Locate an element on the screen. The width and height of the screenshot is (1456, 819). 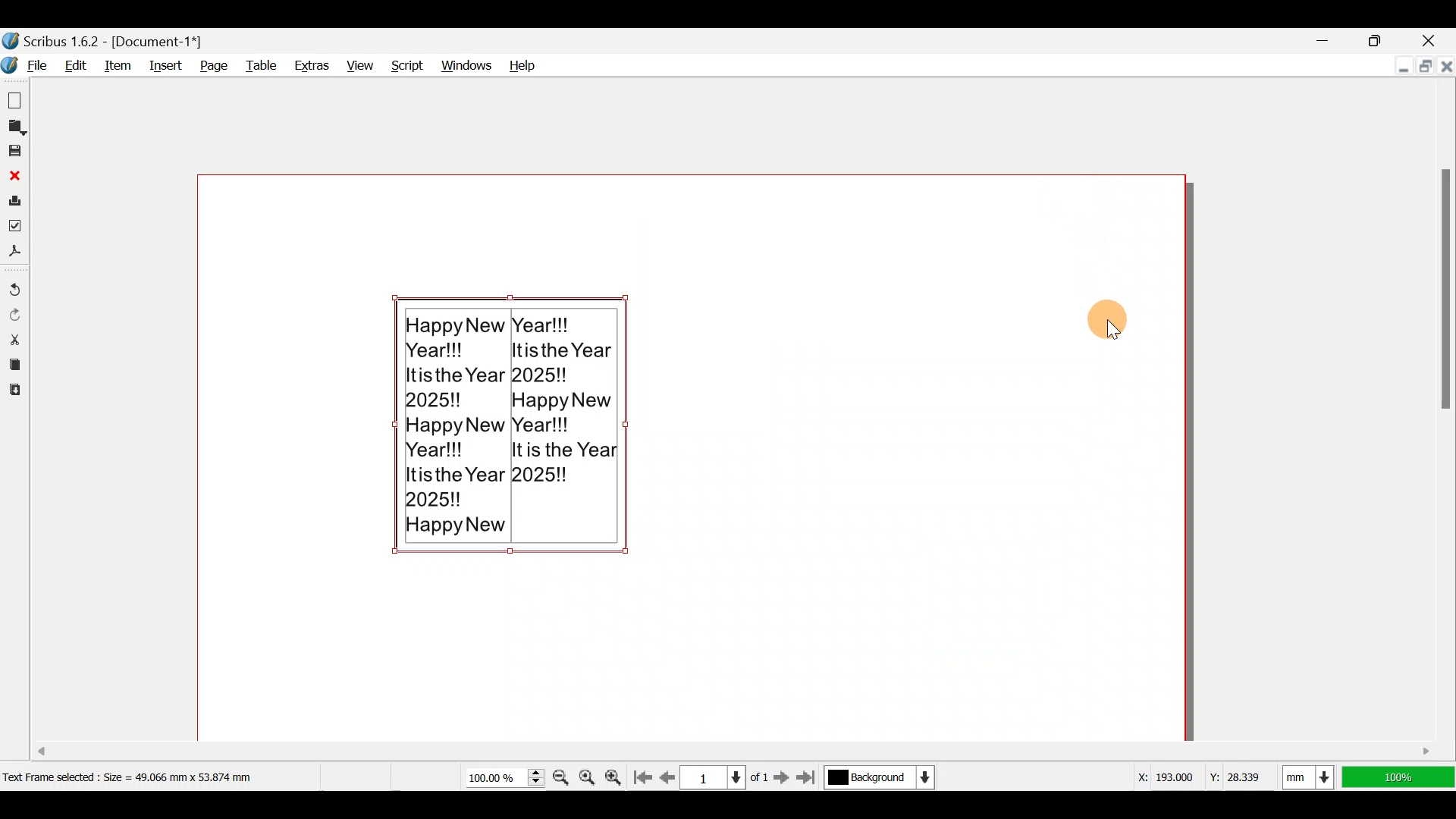
File is located at coordinates (29, 67).